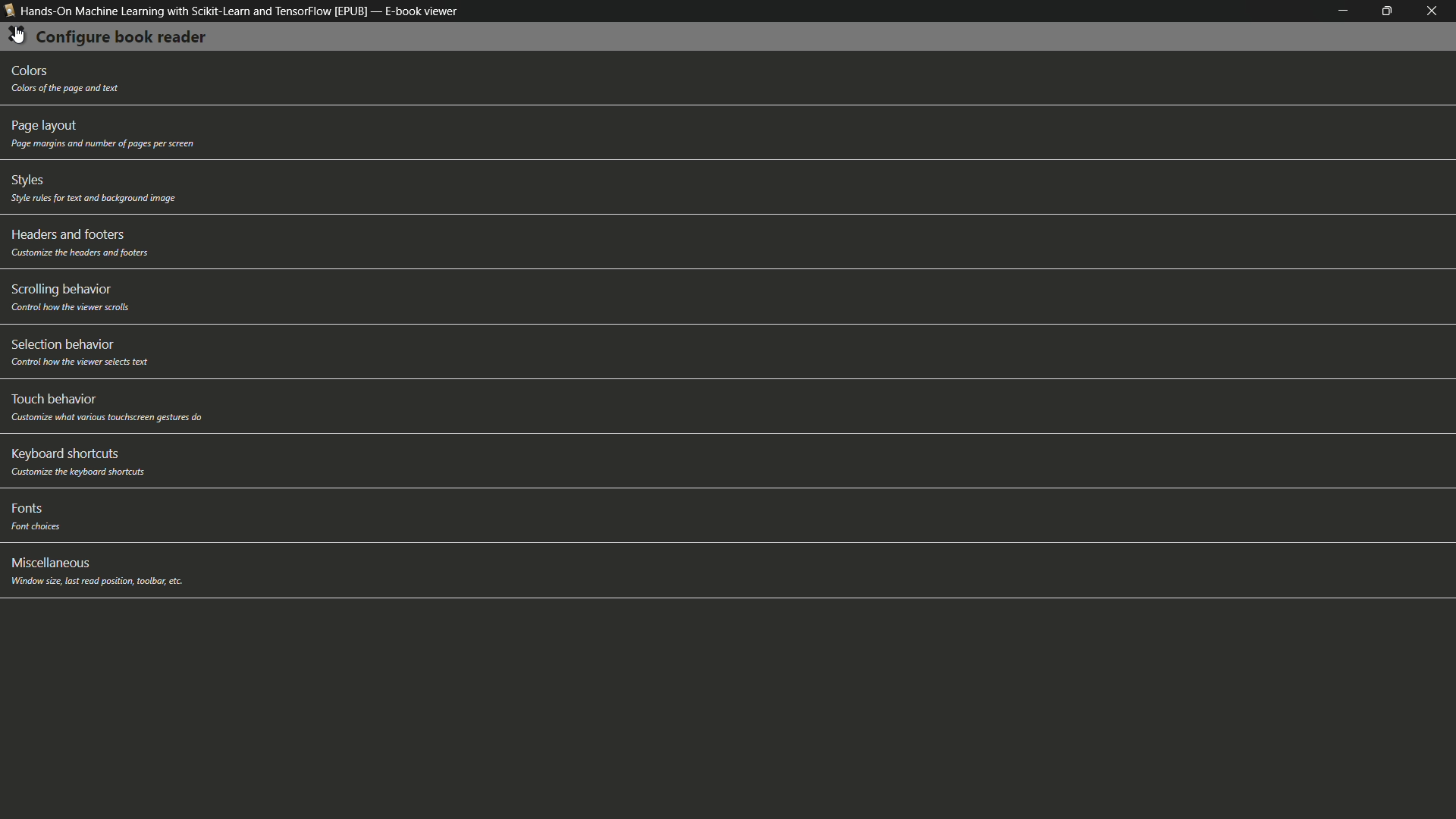 The width and height of the screenshot is (1456, 819). I want to click on Hands-On Machine Learning with Scikit-Learn and TensorFlow [EPUB] — E-book viewer, so click(232, 14).